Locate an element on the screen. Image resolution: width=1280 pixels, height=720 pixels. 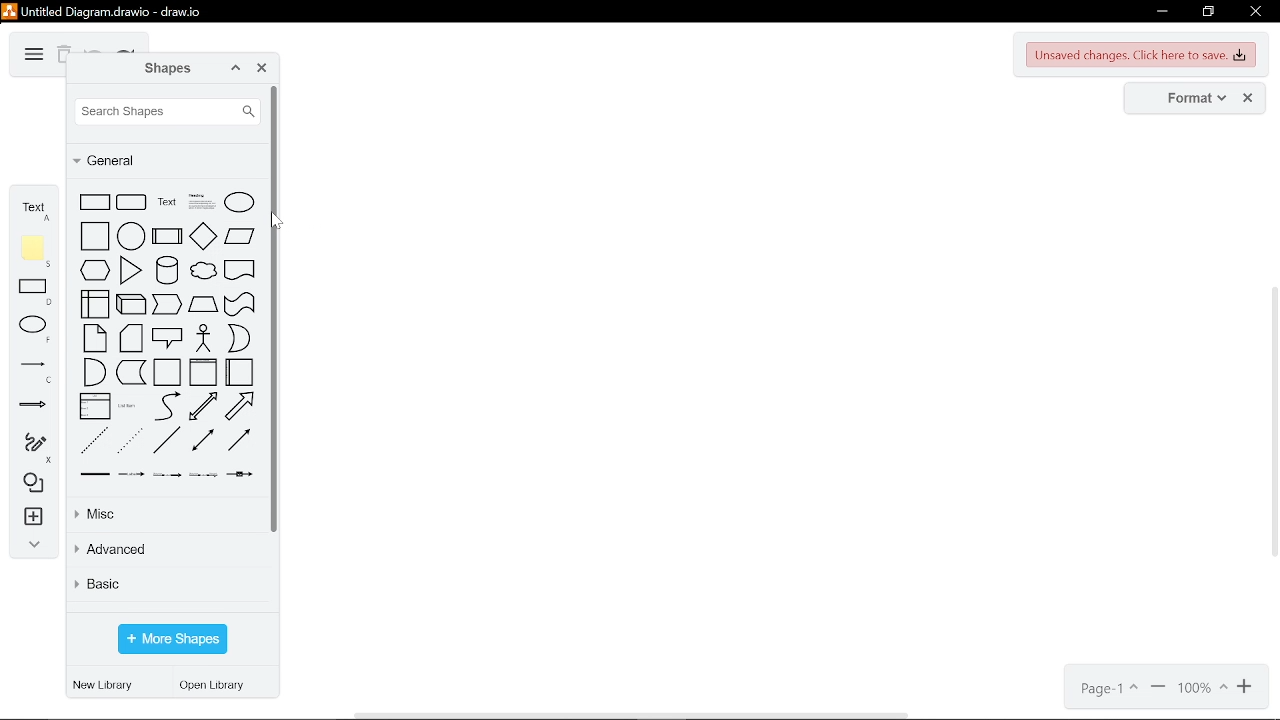
directional connector is located at coordinates (240, 440).